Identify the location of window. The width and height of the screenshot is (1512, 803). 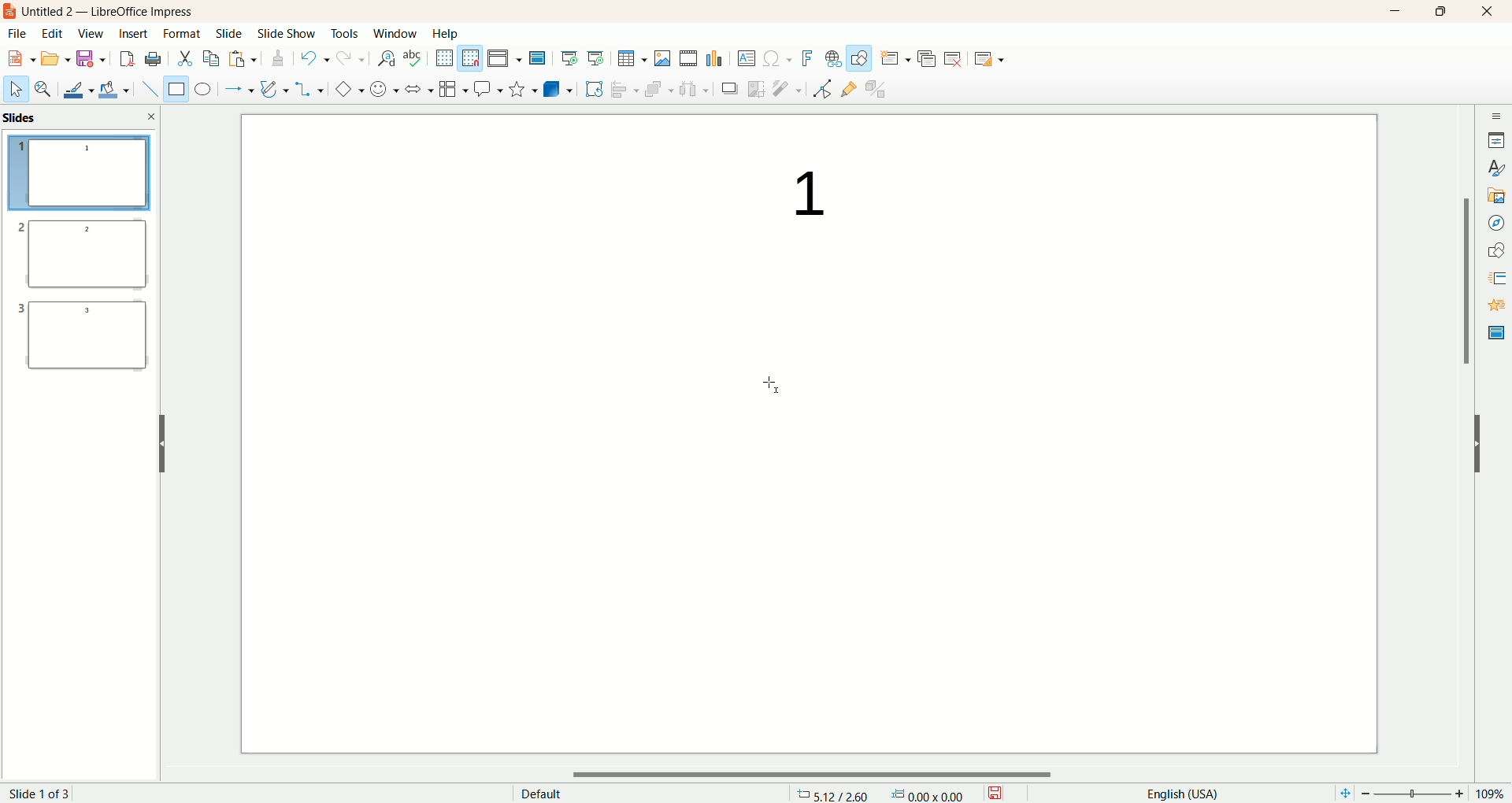
(395, 33).